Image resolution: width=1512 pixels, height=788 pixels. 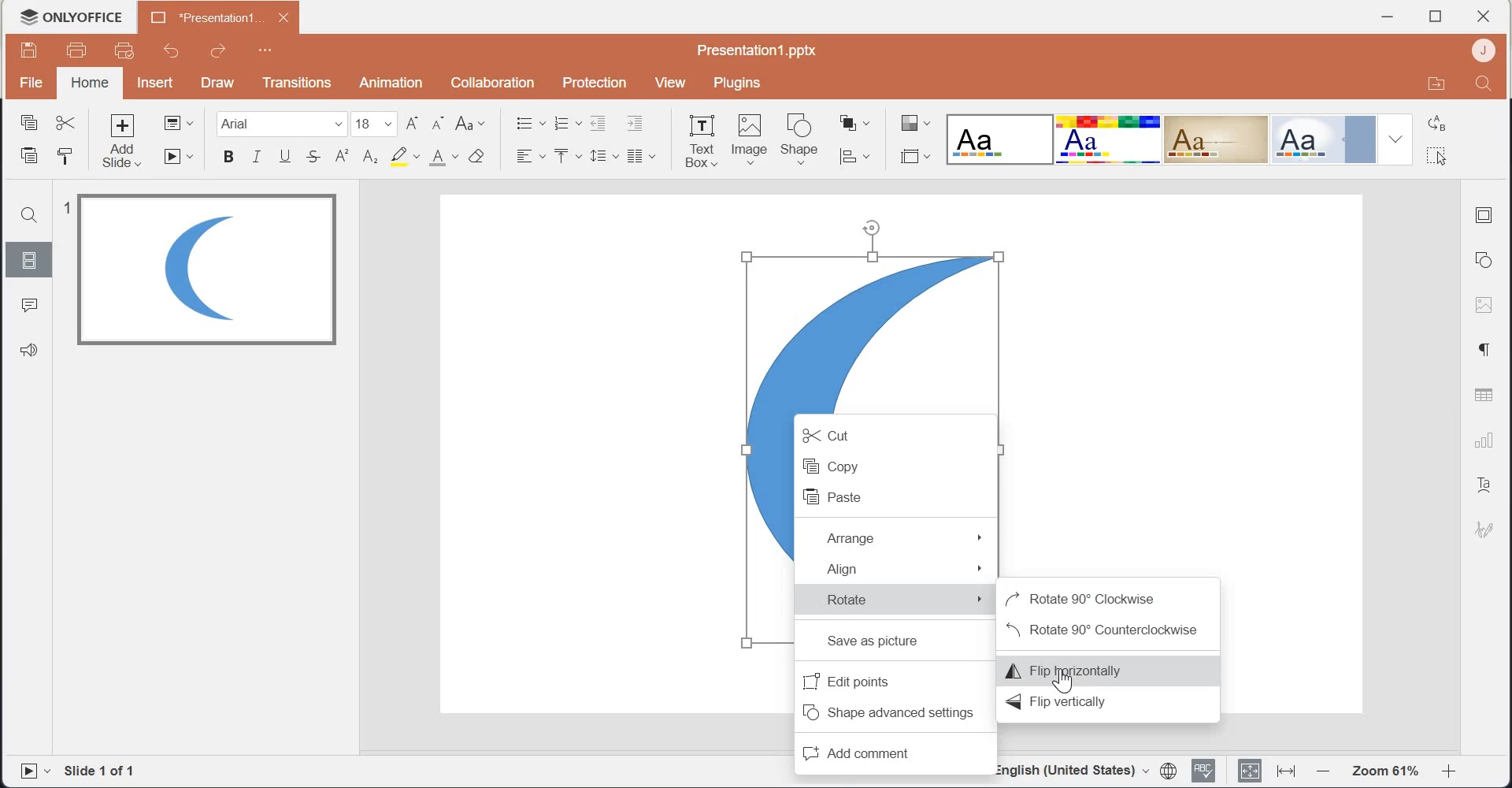 I want to click on Redo, so click(x=216, y=50).